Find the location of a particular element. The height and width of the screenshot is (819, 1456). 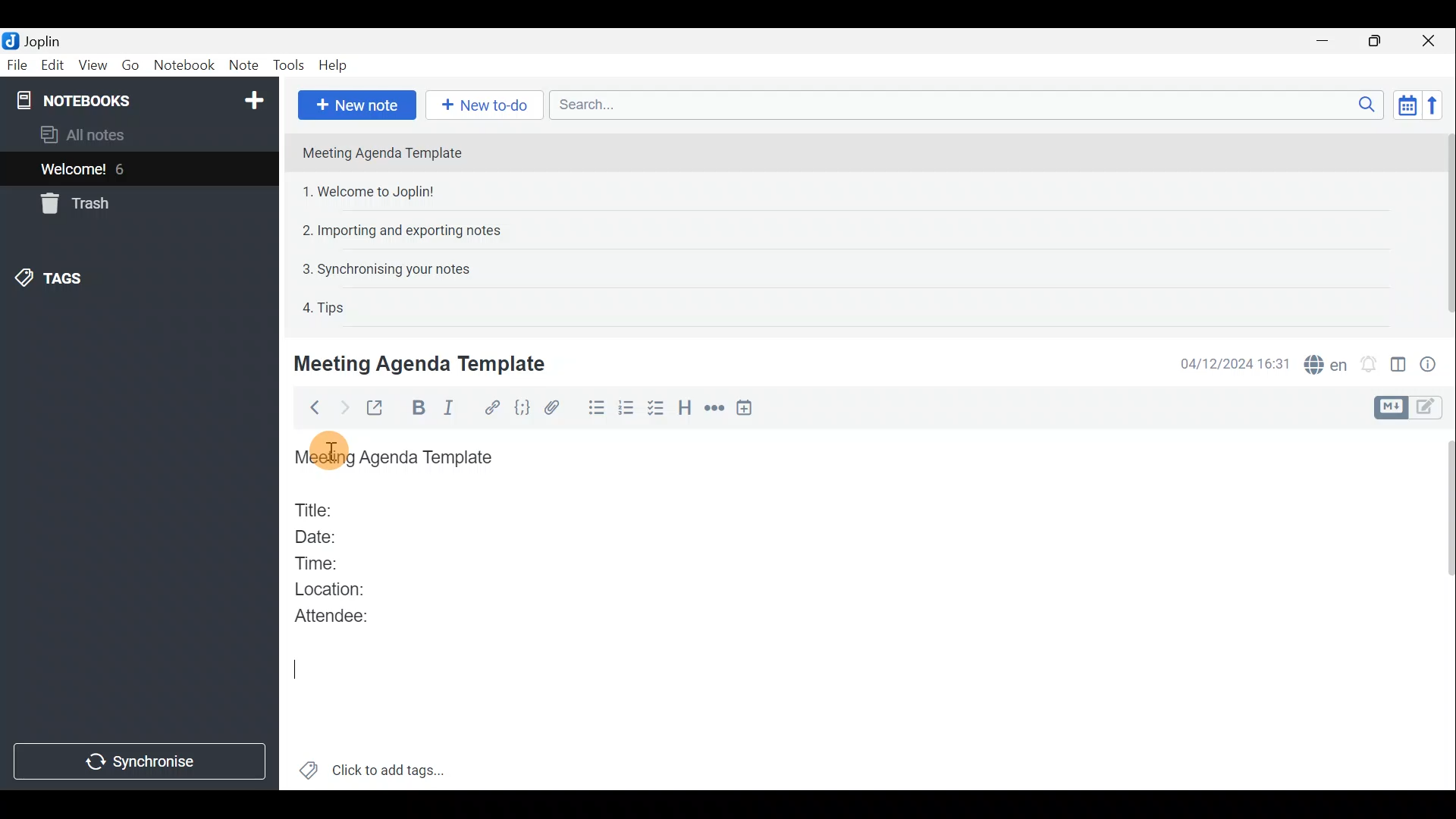

Note properties is located at coordinates (1433, 363).